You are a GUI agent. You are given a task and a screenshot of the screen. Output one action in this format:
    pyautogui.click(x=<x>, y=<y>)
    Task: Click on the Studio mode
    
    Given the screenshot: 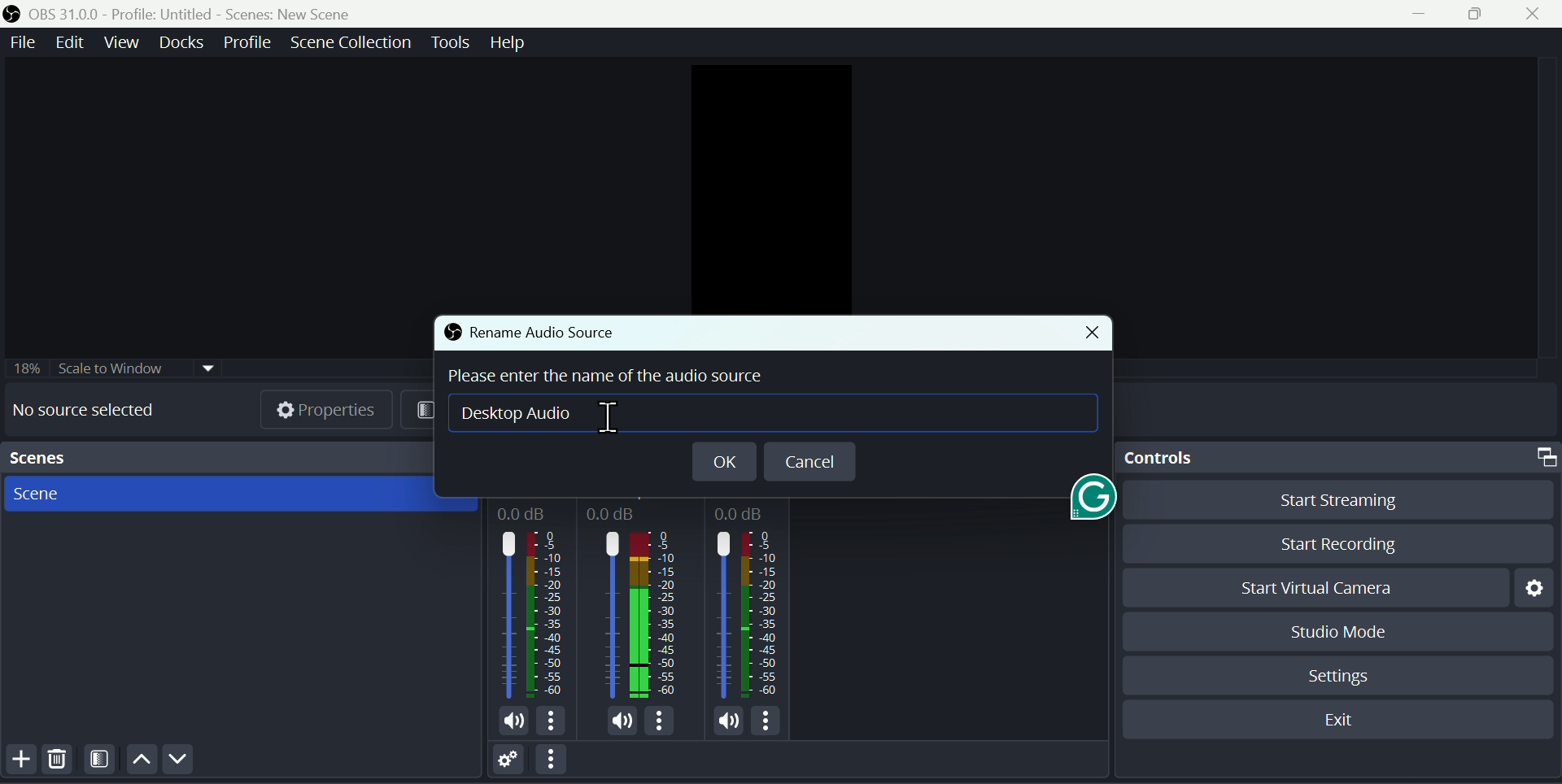 What is the action you would take?
    pyautogui.click(x=1342, y=630)
    